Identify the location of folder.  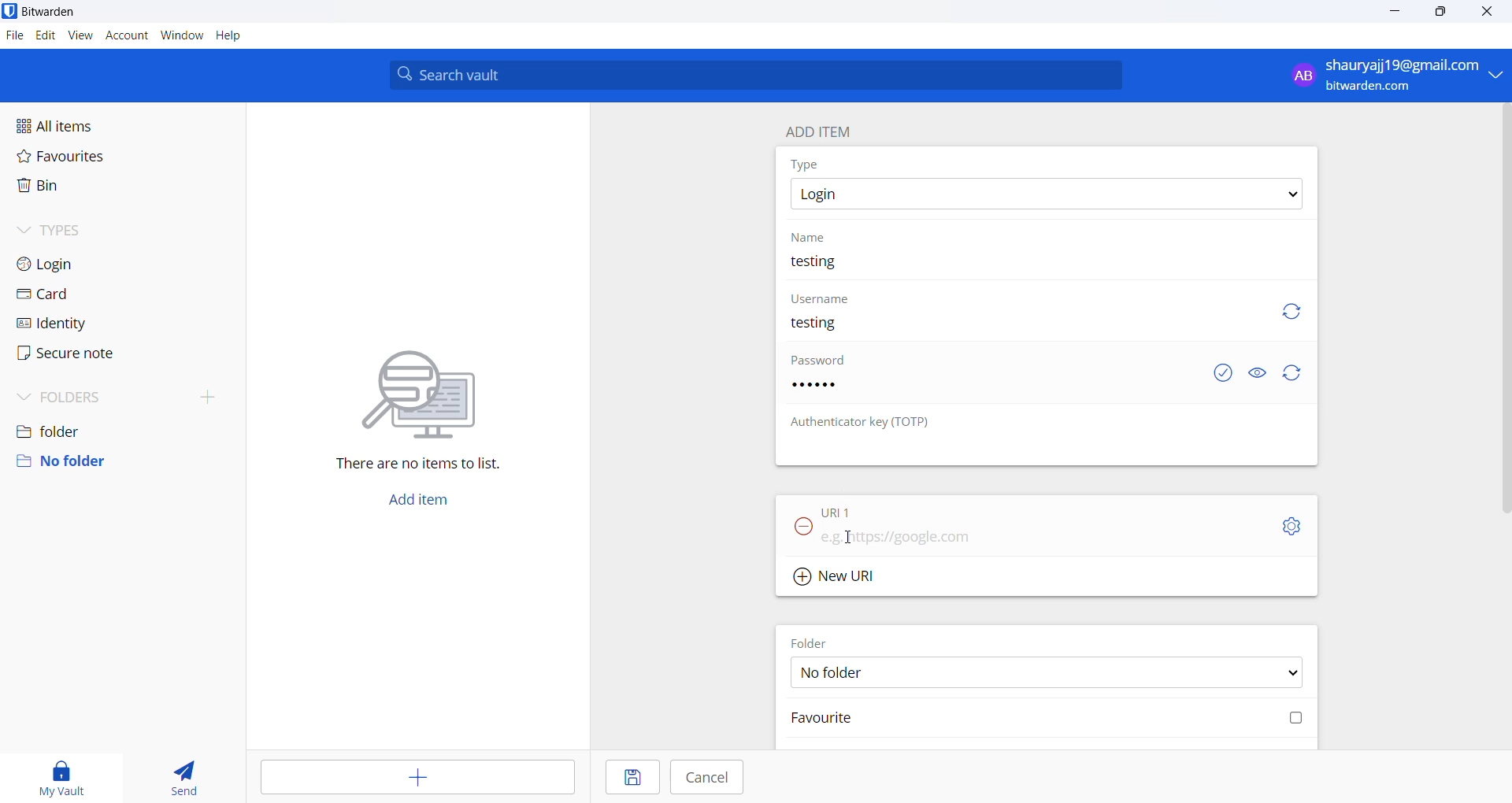
(119, 427).